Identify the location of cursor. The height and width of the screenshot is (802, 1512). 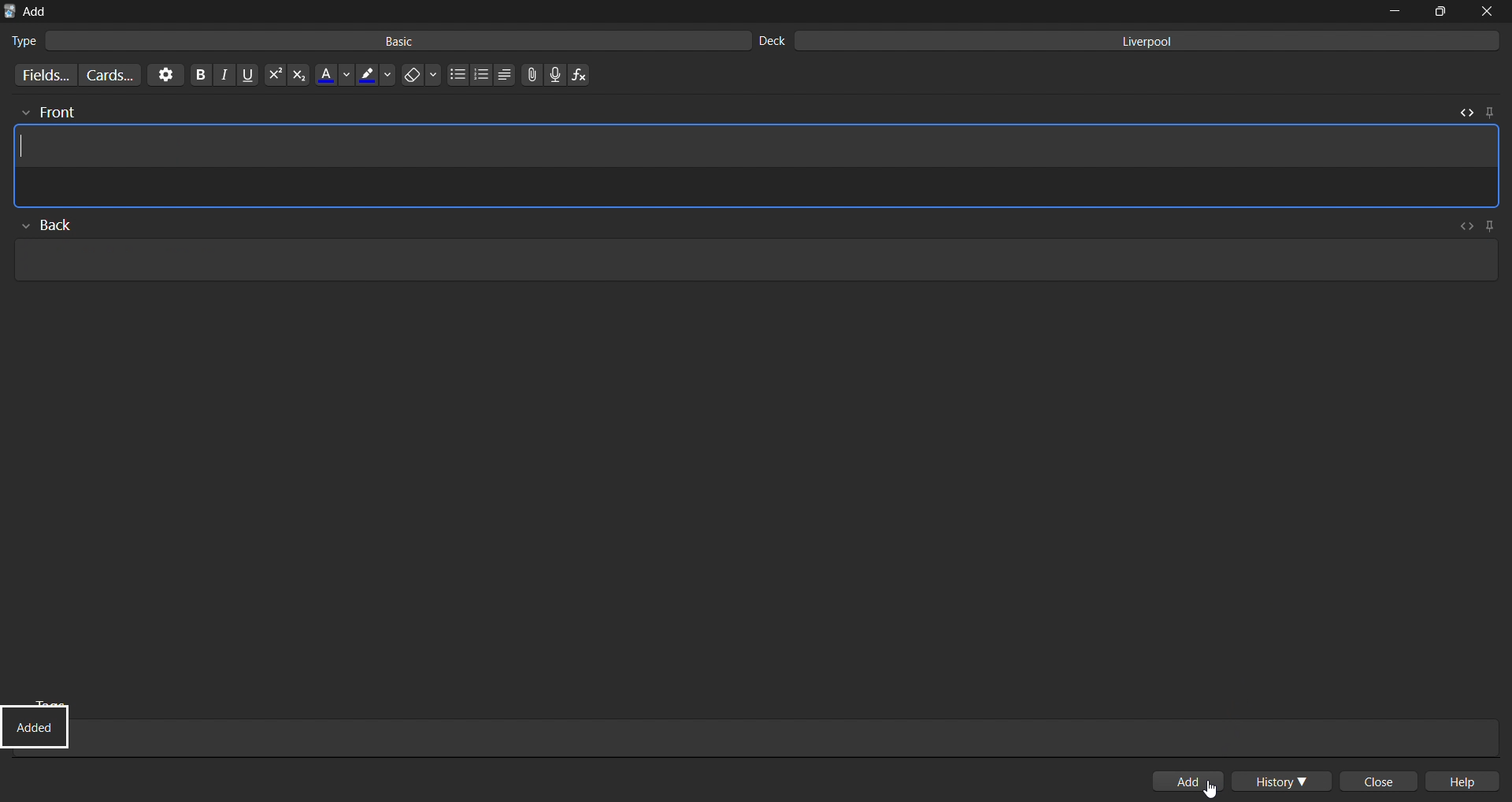
(1210, 790).